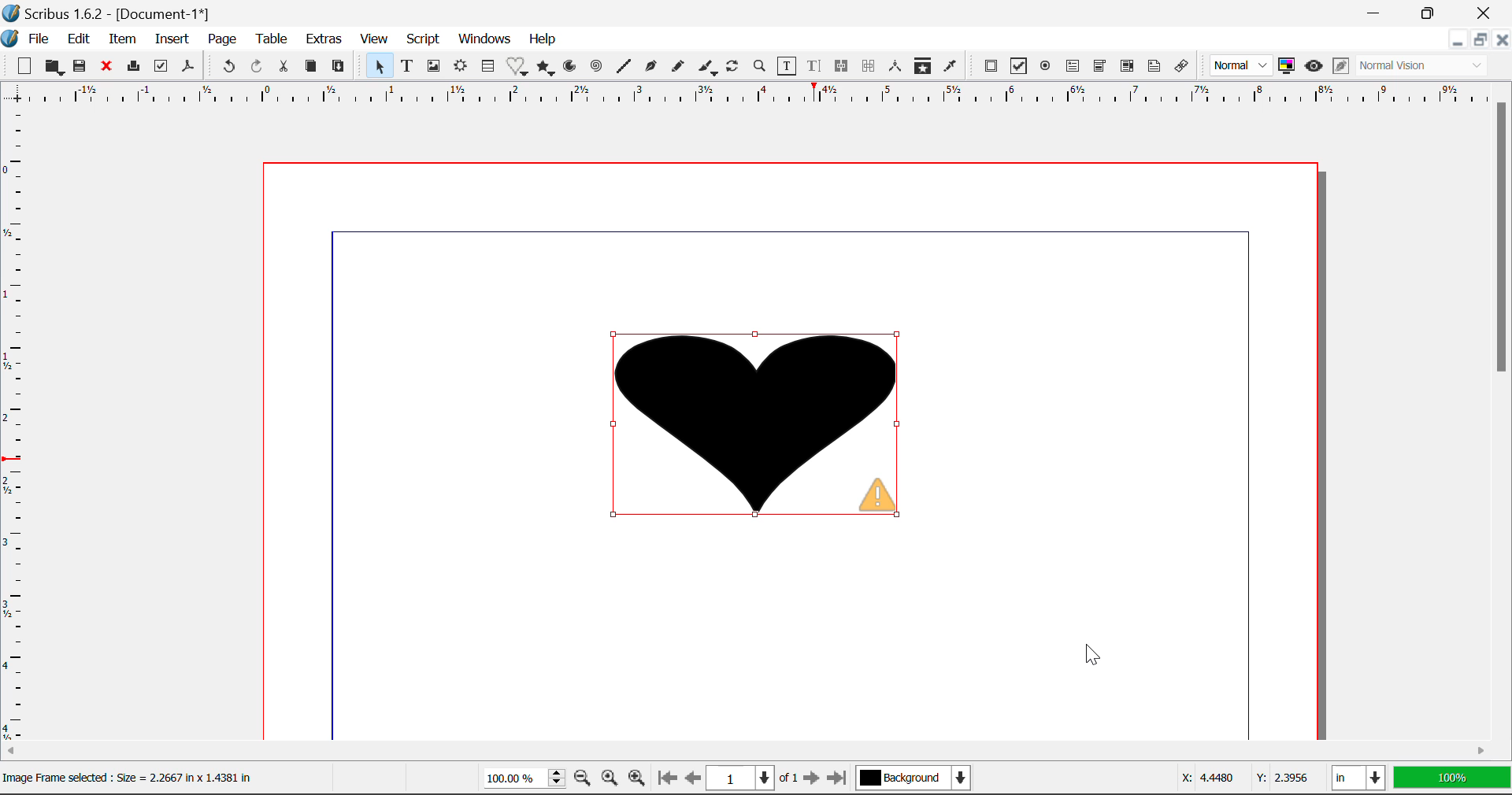 Image resolution: width=1512 pixels, height=795 pixels. What do you see at coordinates (375, 41) in the screenshot?
I see `View` at bounding box center [375, 41].